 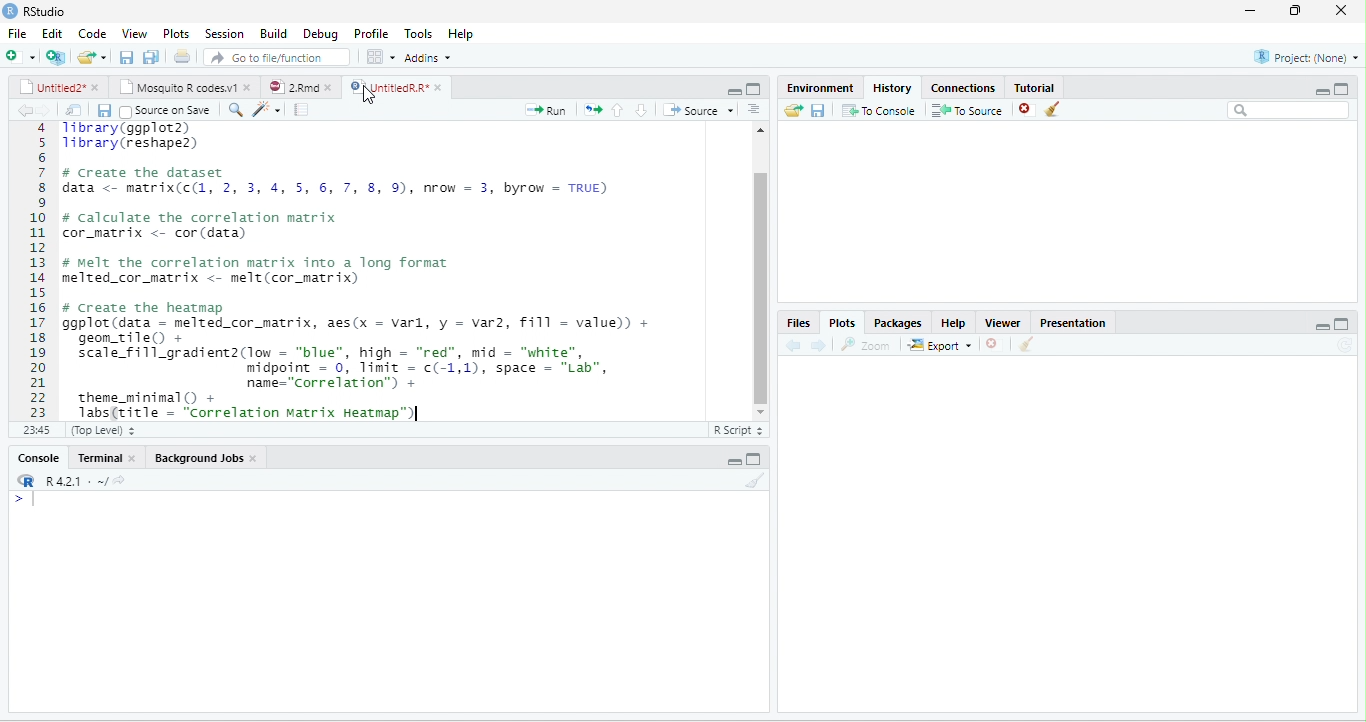 I want to click on mosquito R codes v1, so click(x=183, y=87).